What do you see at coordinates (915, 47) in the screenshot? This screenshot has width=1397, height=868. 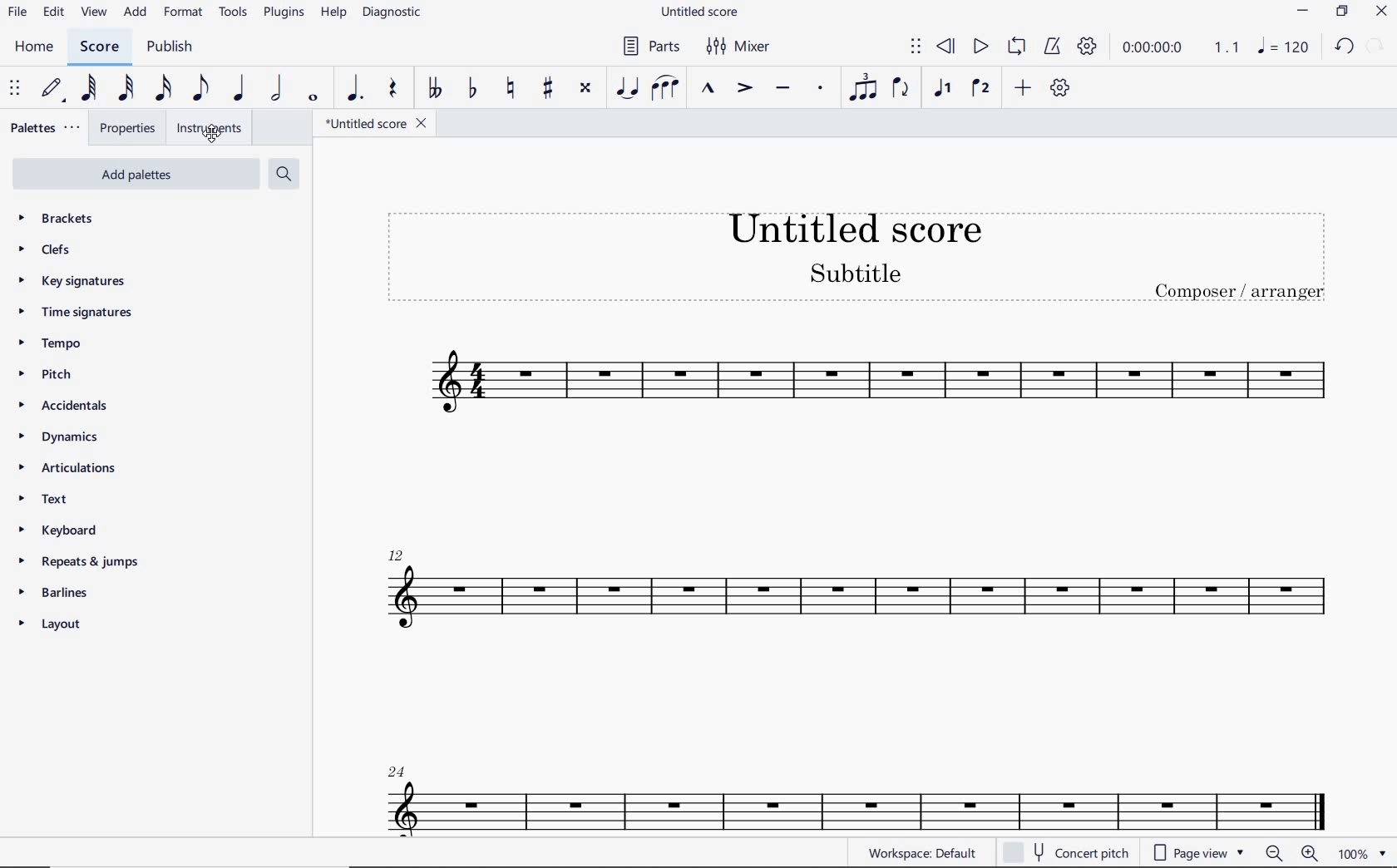 I see `SELECT TO MOVE` at bounding box center [915, 47].